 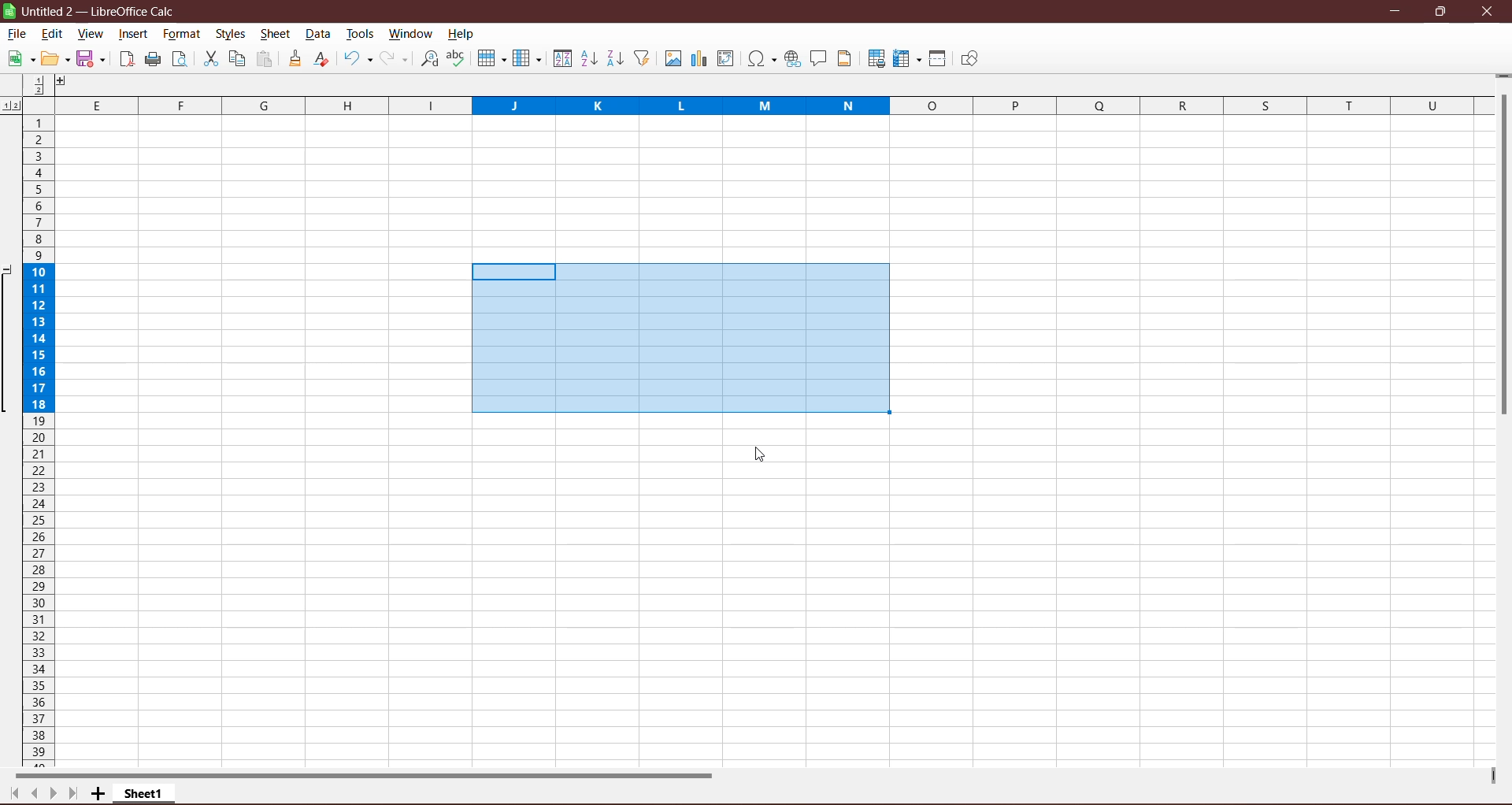 I want to click on Horizontal Scroll Bar, so click(x=374, y=774).